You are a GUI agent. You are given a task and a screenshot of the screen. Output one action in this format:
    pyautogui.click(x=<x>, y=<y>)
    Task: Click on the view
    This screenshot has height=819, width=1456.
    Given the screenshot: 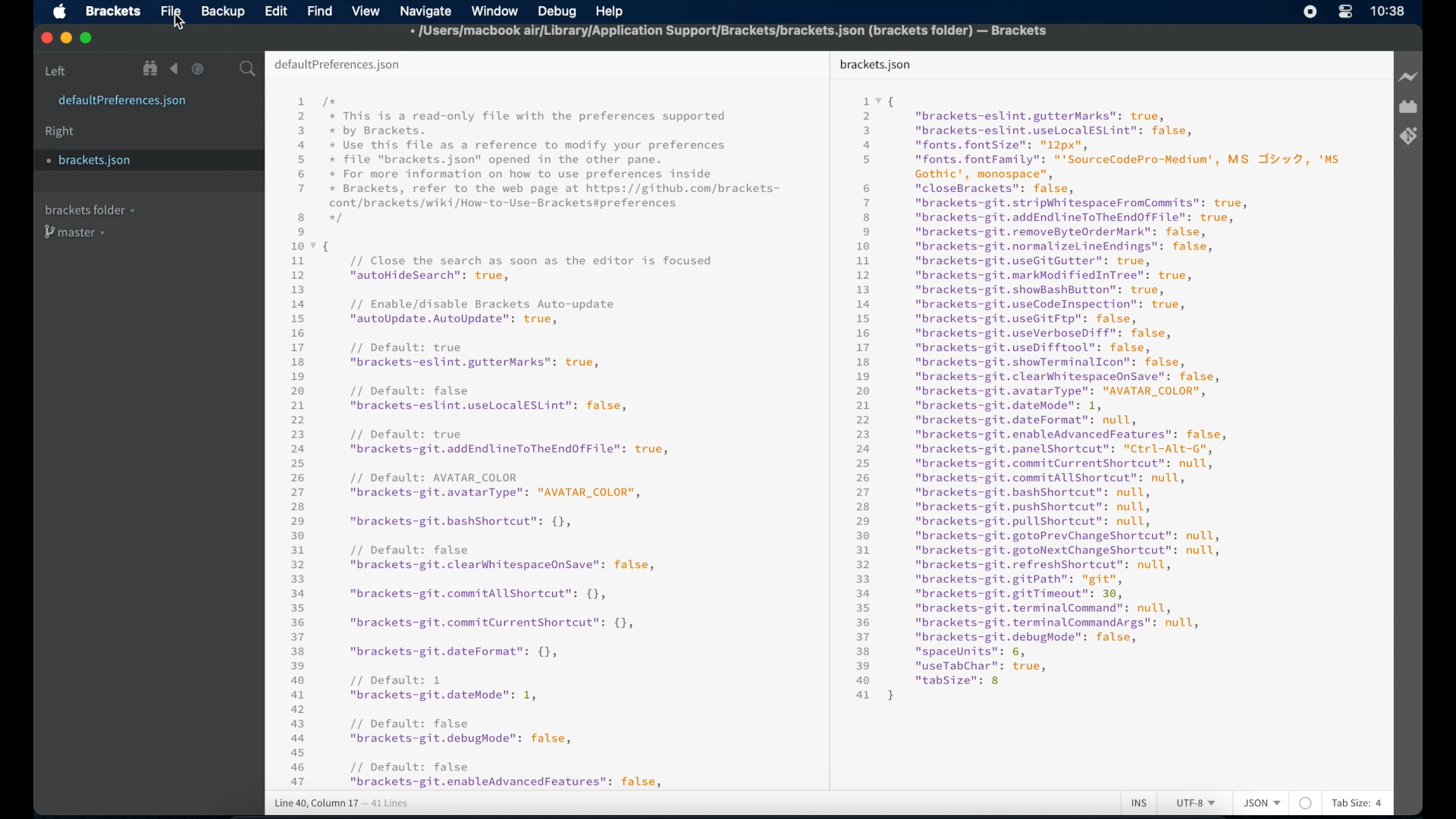 What is the action you would take?
    pyautogui.click(x=366, y=11)
    